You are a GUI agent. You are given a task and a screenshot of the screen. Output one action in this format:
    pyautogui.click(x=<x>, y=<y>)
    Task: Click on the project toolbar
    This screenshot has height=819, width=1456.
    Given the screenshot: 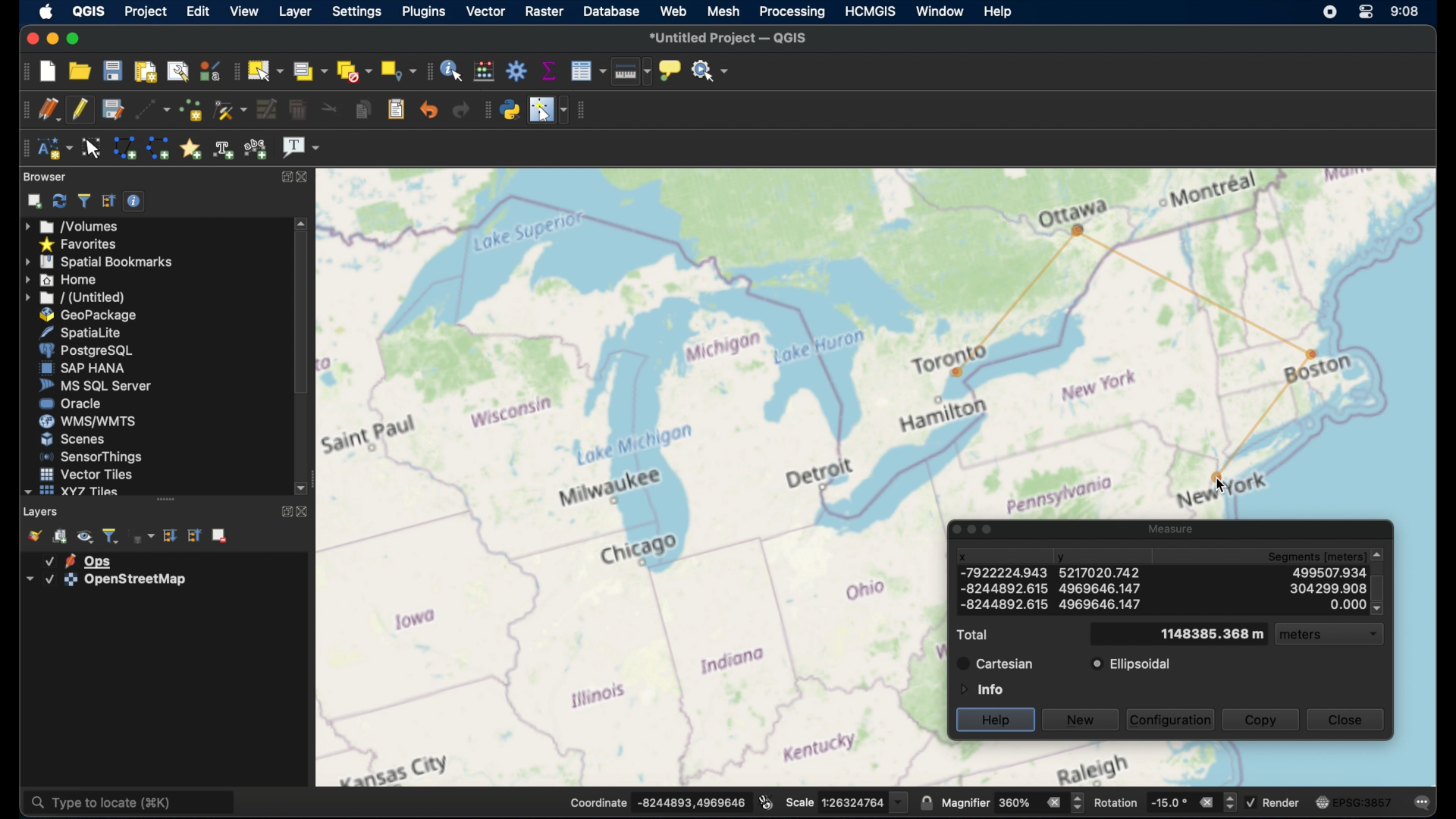 What is the action you would take?
    pyautogui.click(x=20, y=71)
    